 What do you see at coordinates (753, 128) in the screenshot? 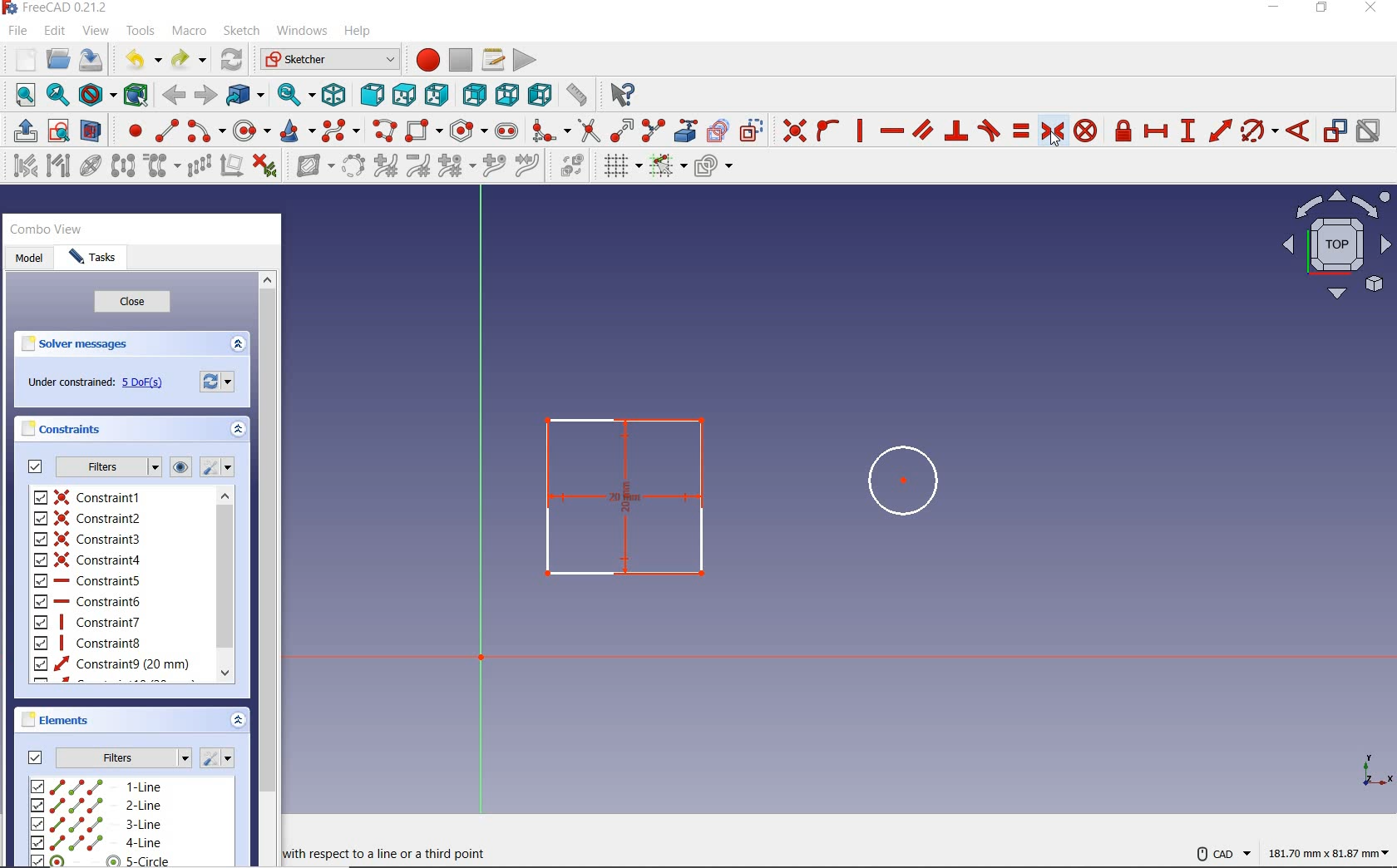
I see `toggle construction geometry` at bounding box center [753, 128].